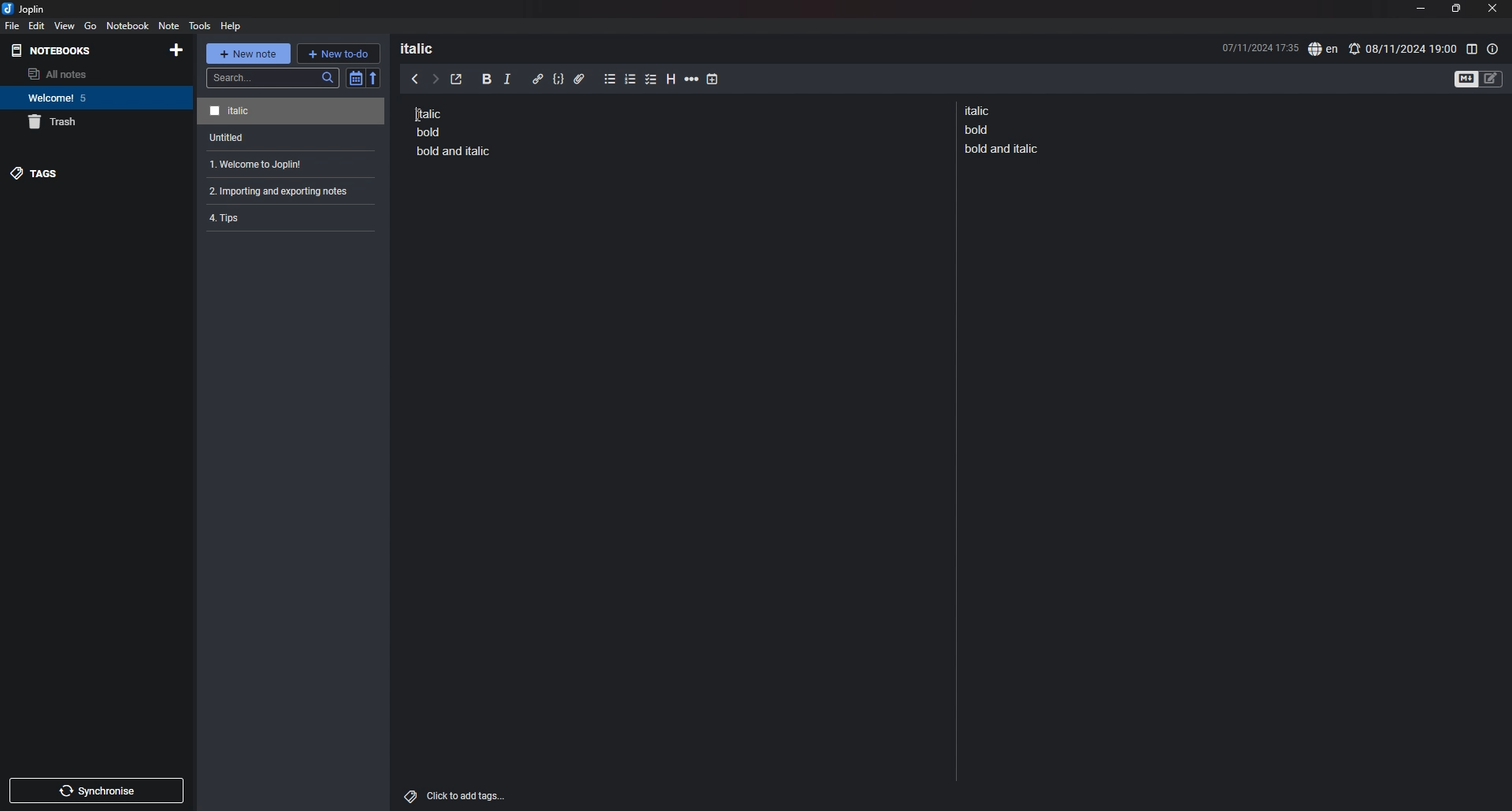  I want to click on heading, so click(427, 48).